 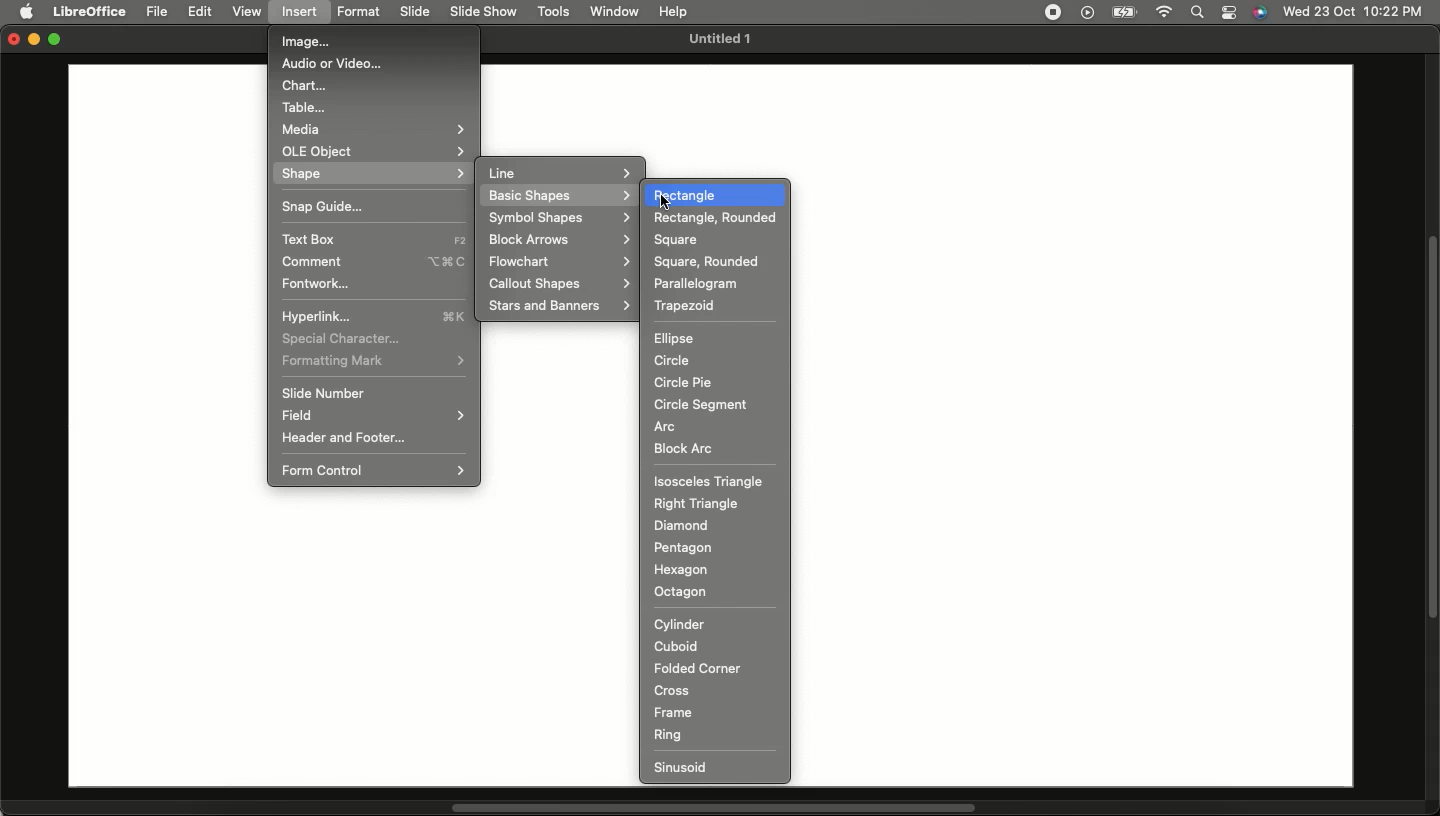 I want to click on Window, so click(x=616, y=11).